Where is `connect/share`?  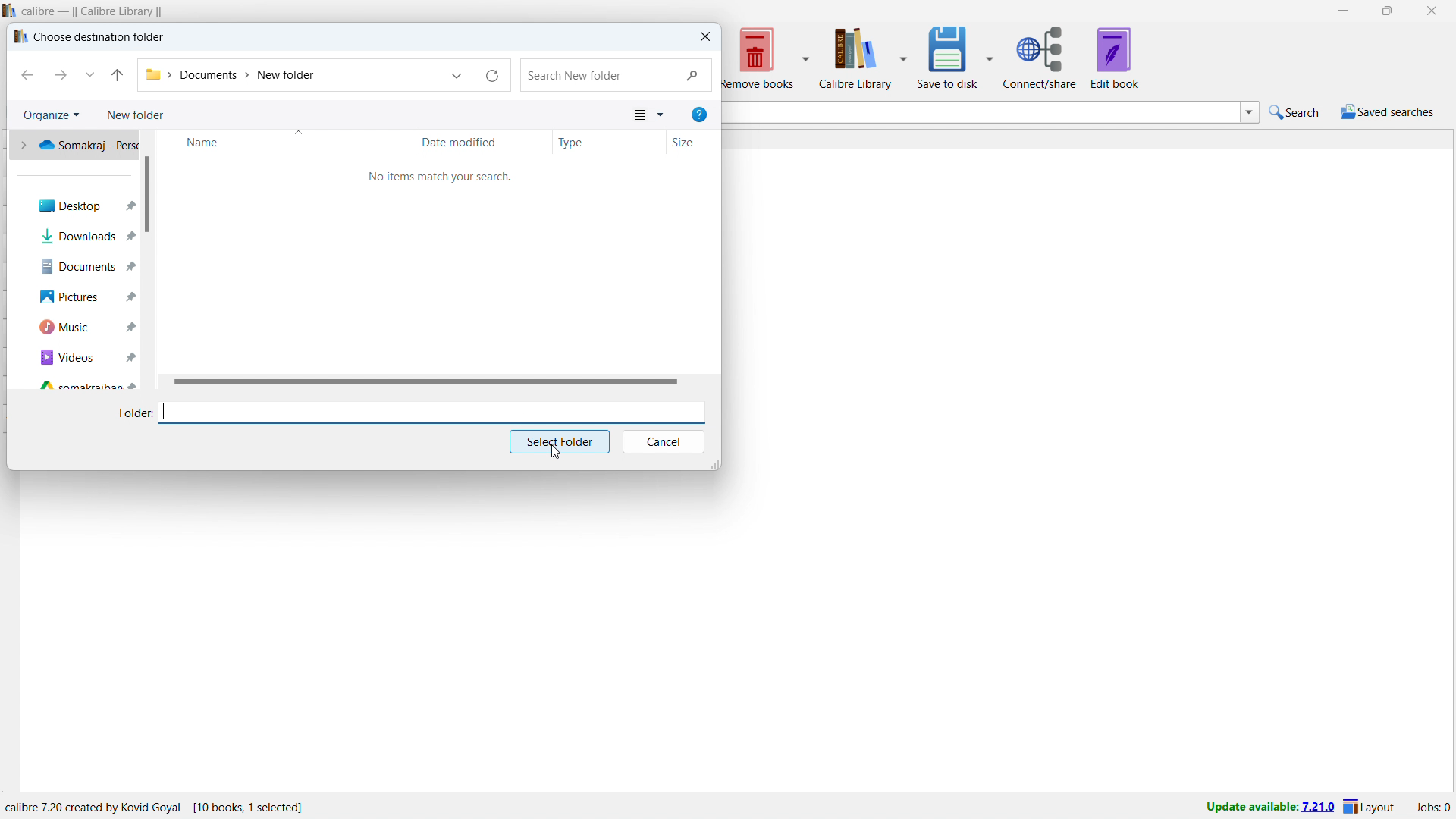
connect/share is located at coordinates (1042, 58).